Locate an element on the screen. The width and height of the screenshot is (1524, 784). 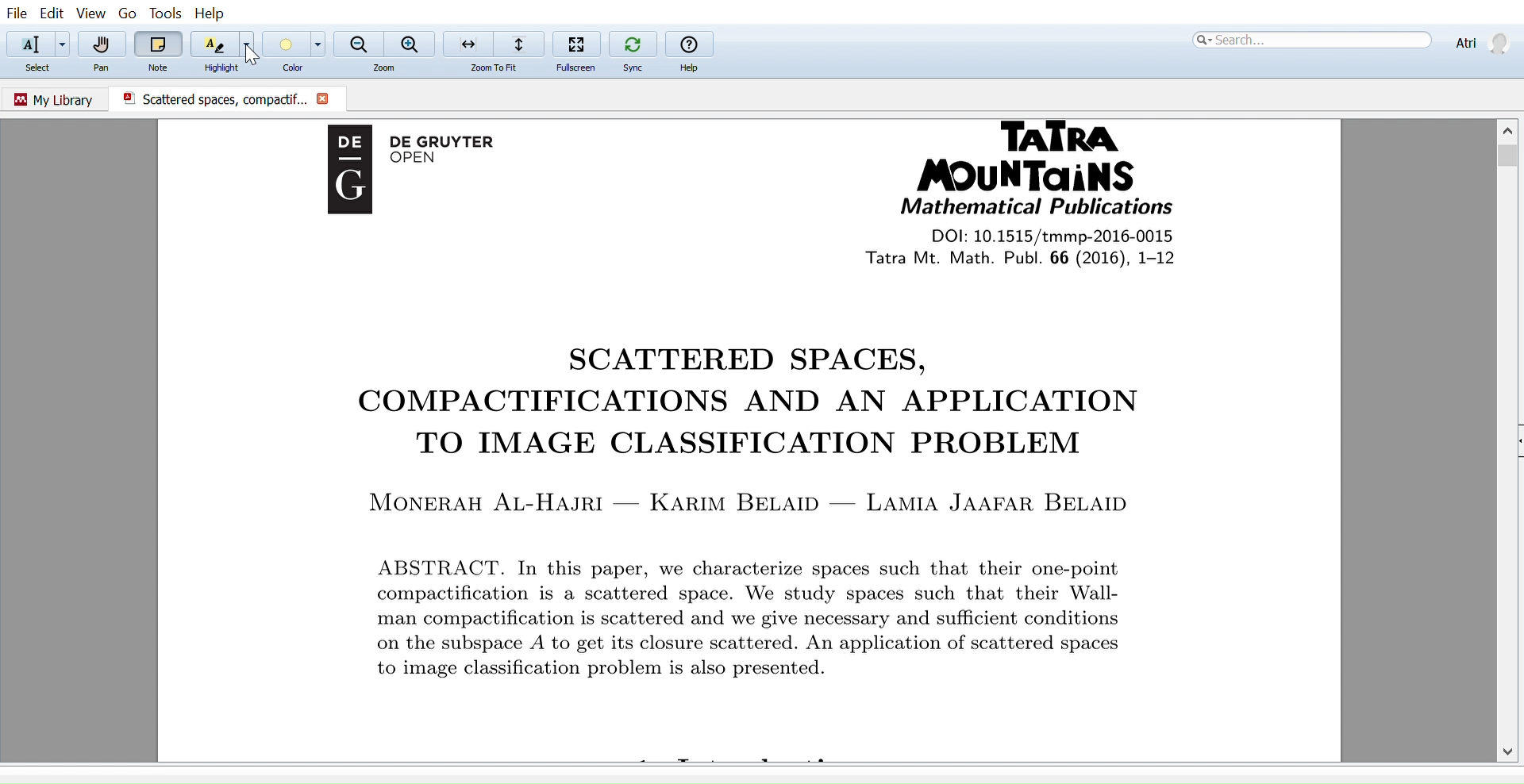
Logo is located at coordinates (344, 180).